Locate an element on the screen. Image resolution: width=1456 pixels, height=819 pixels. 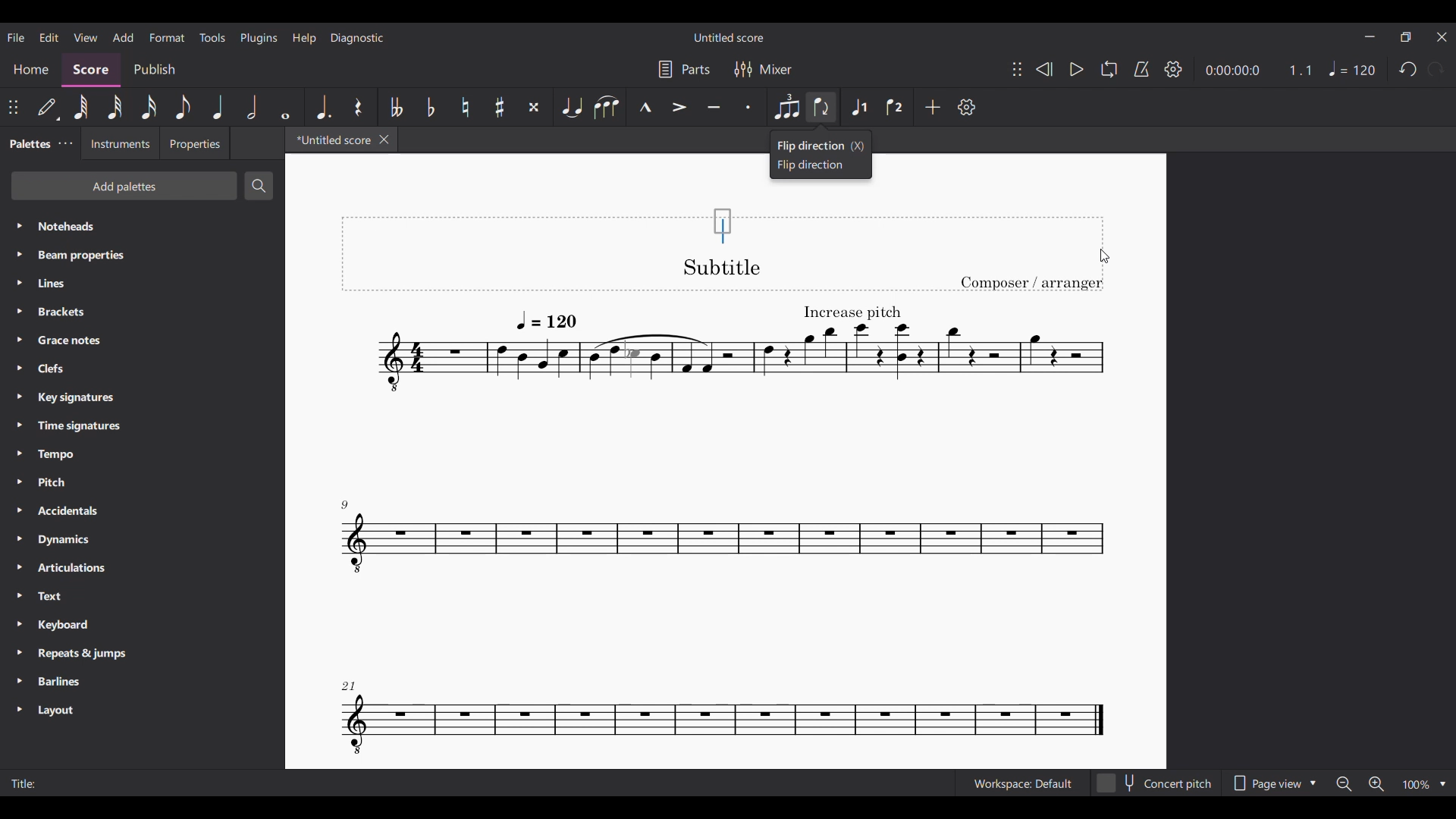
Beam properties is located at coordinates (142, 255).